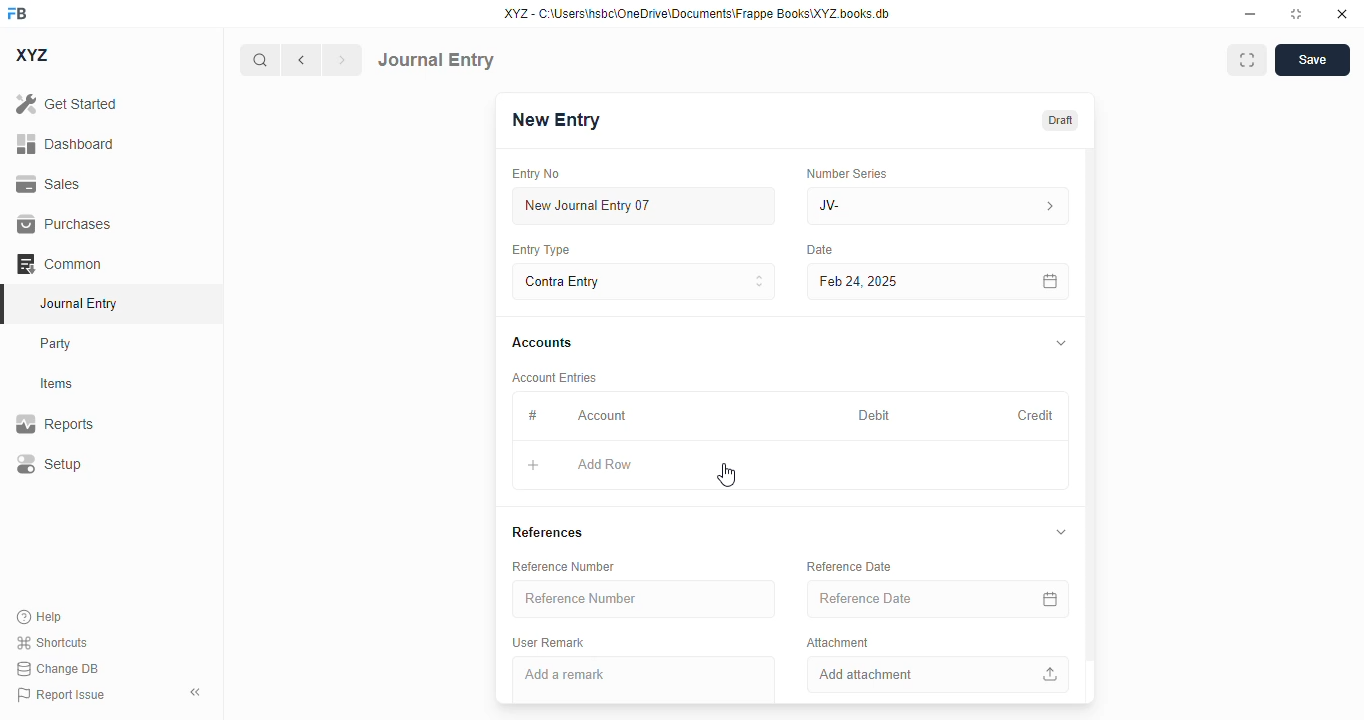  Describe the element at coordinates (61, 694) in the screenshot. I see `report issue` at that location.